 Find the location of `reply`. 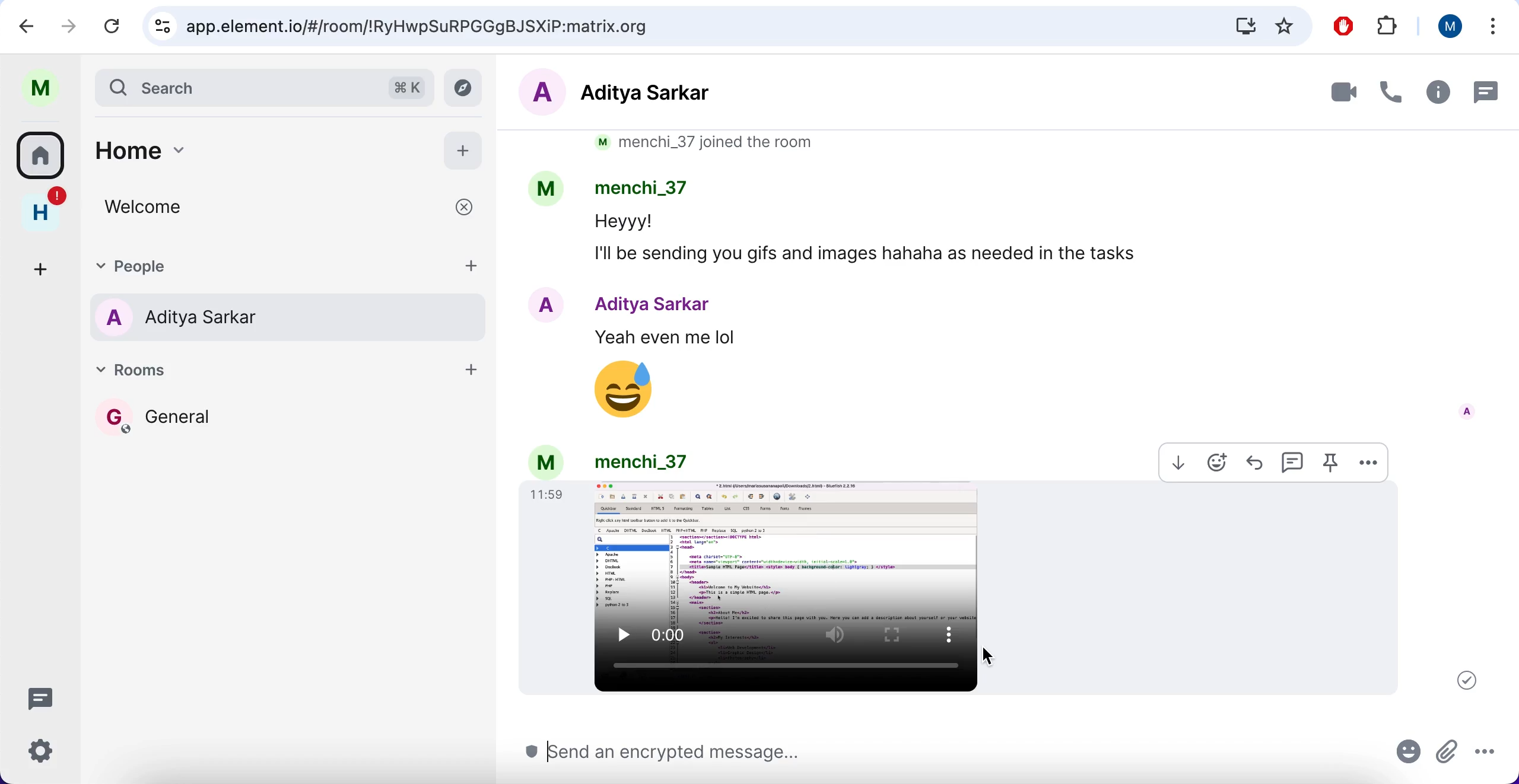

reply is located at coordinates (1254, 461).